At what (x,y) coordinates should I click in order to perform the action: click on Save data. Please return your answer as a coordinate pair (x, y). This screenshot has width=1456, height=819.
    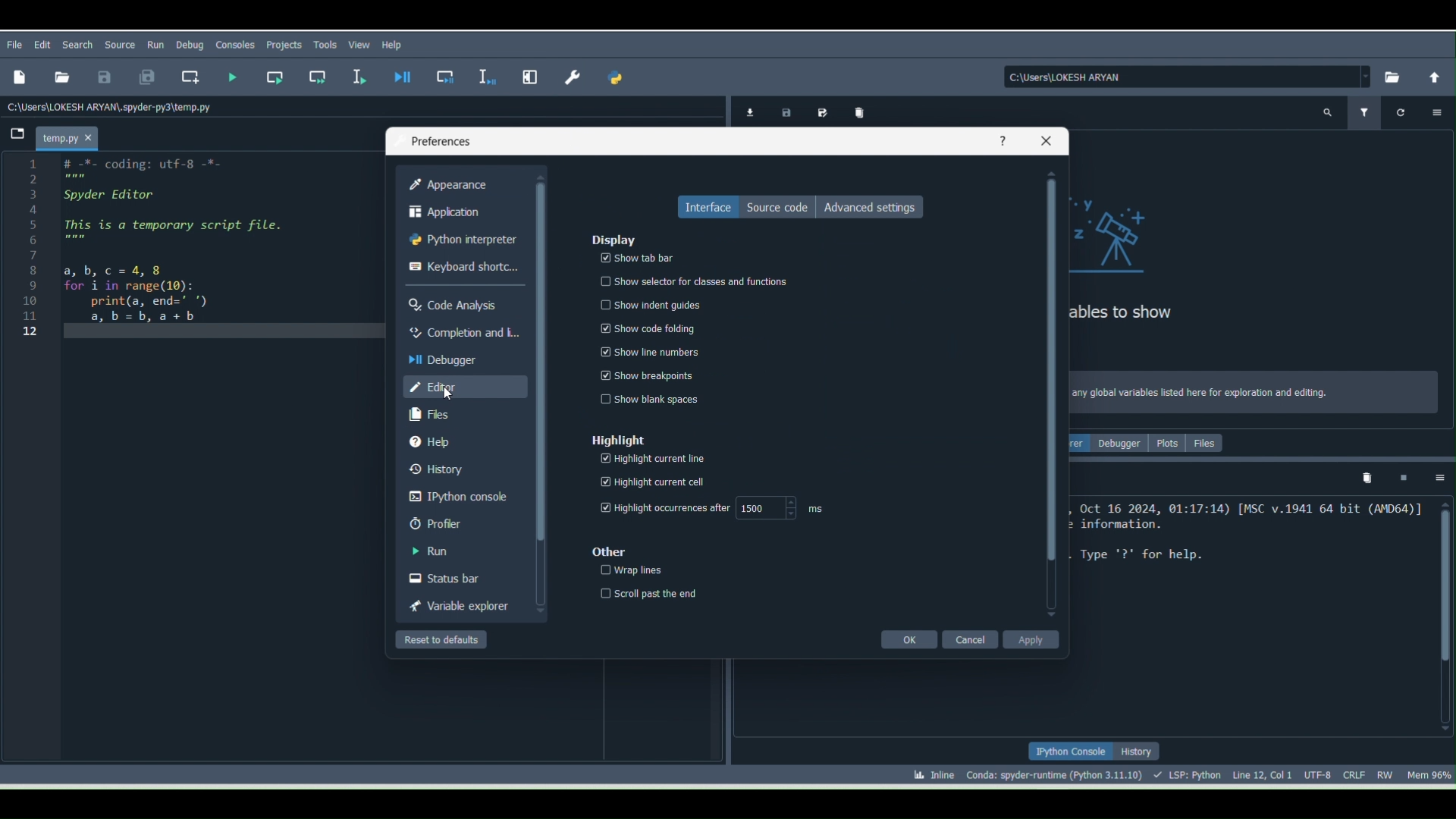
    Looking at the image, I should click on (783, 110).